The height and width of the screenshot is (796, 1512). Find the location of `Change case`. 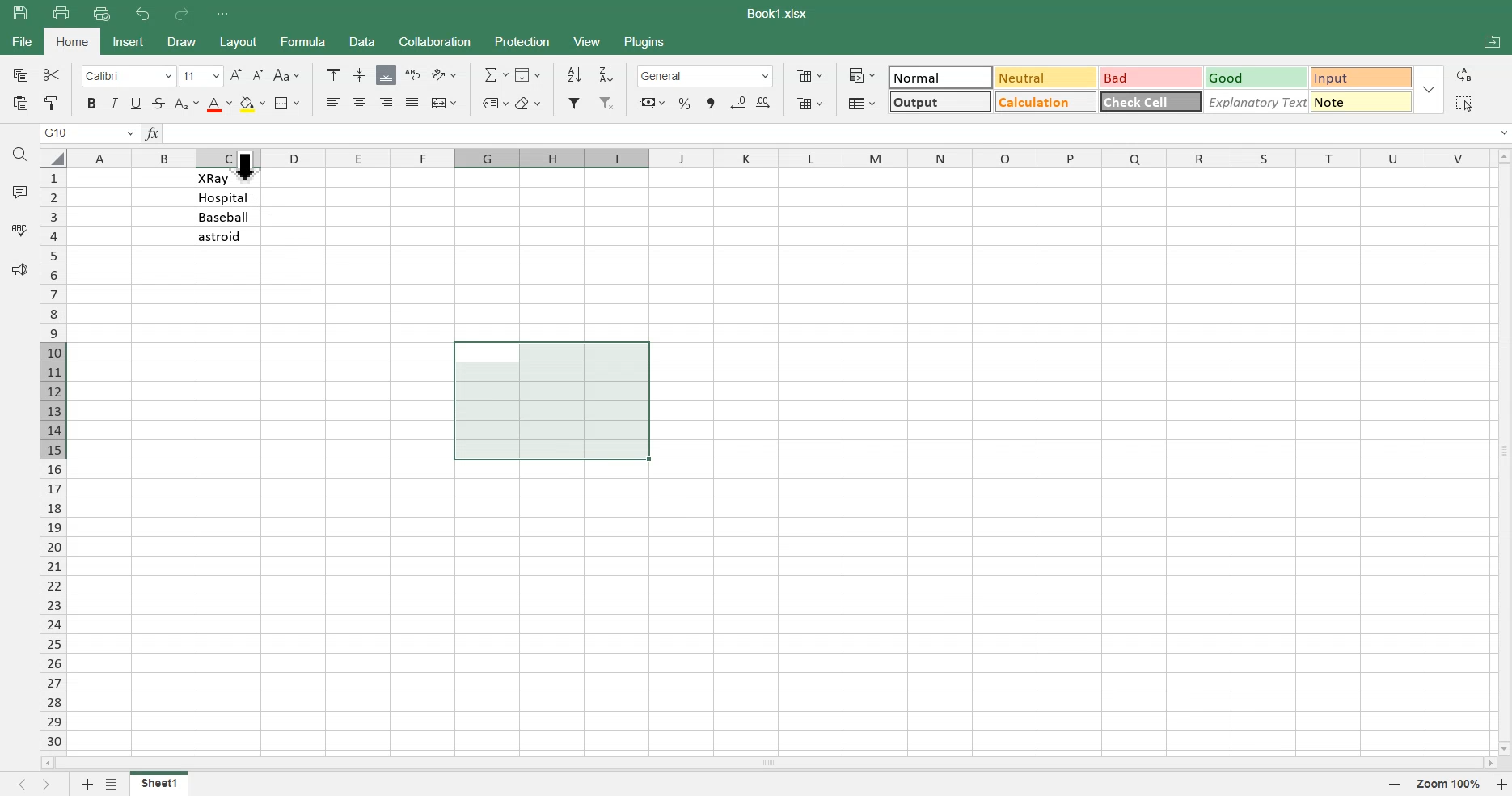

Change case is located at coordinates (286, 75).